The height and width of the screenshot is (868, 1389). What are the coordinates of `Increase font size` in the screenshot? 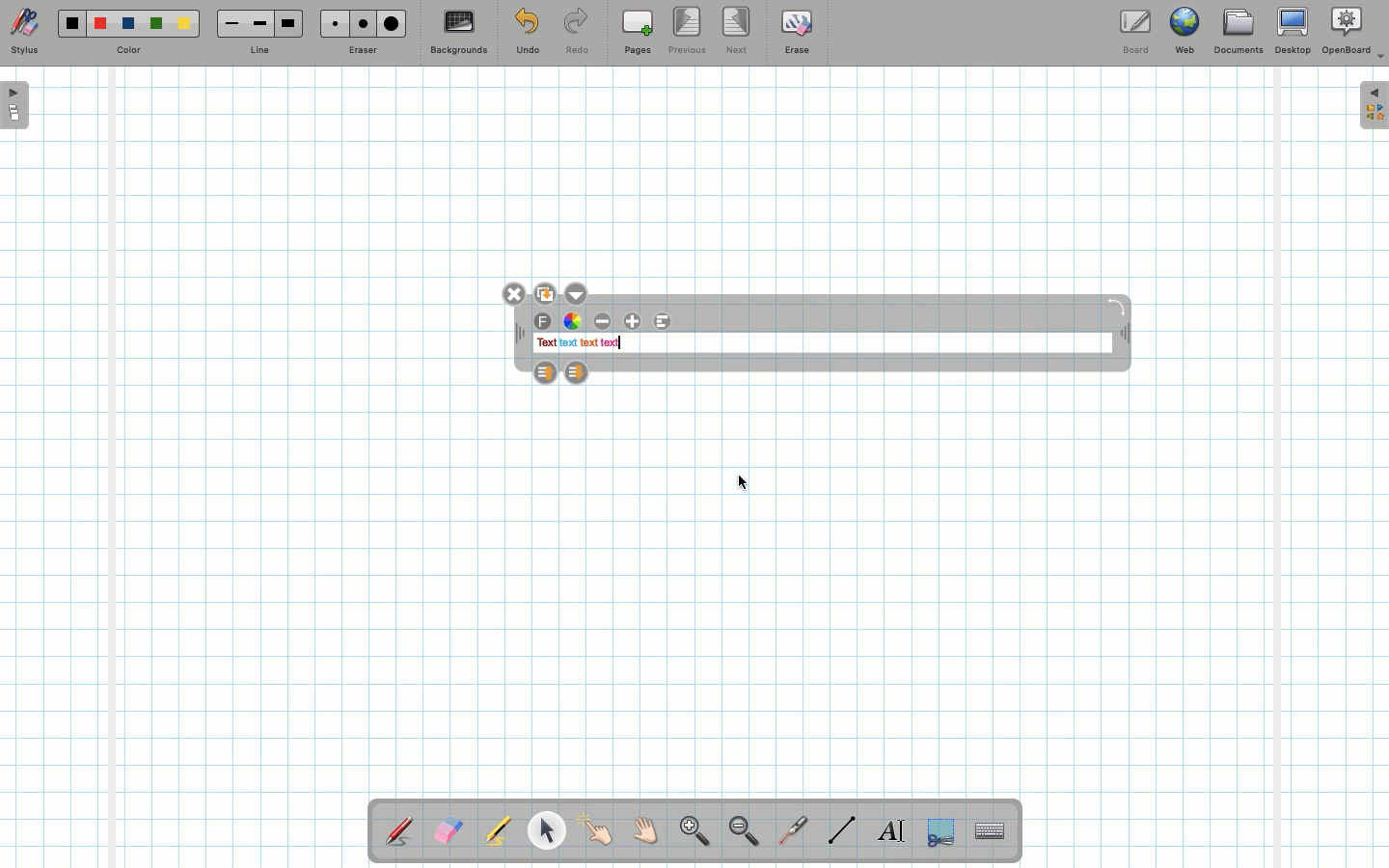 It's located at (635, 321).